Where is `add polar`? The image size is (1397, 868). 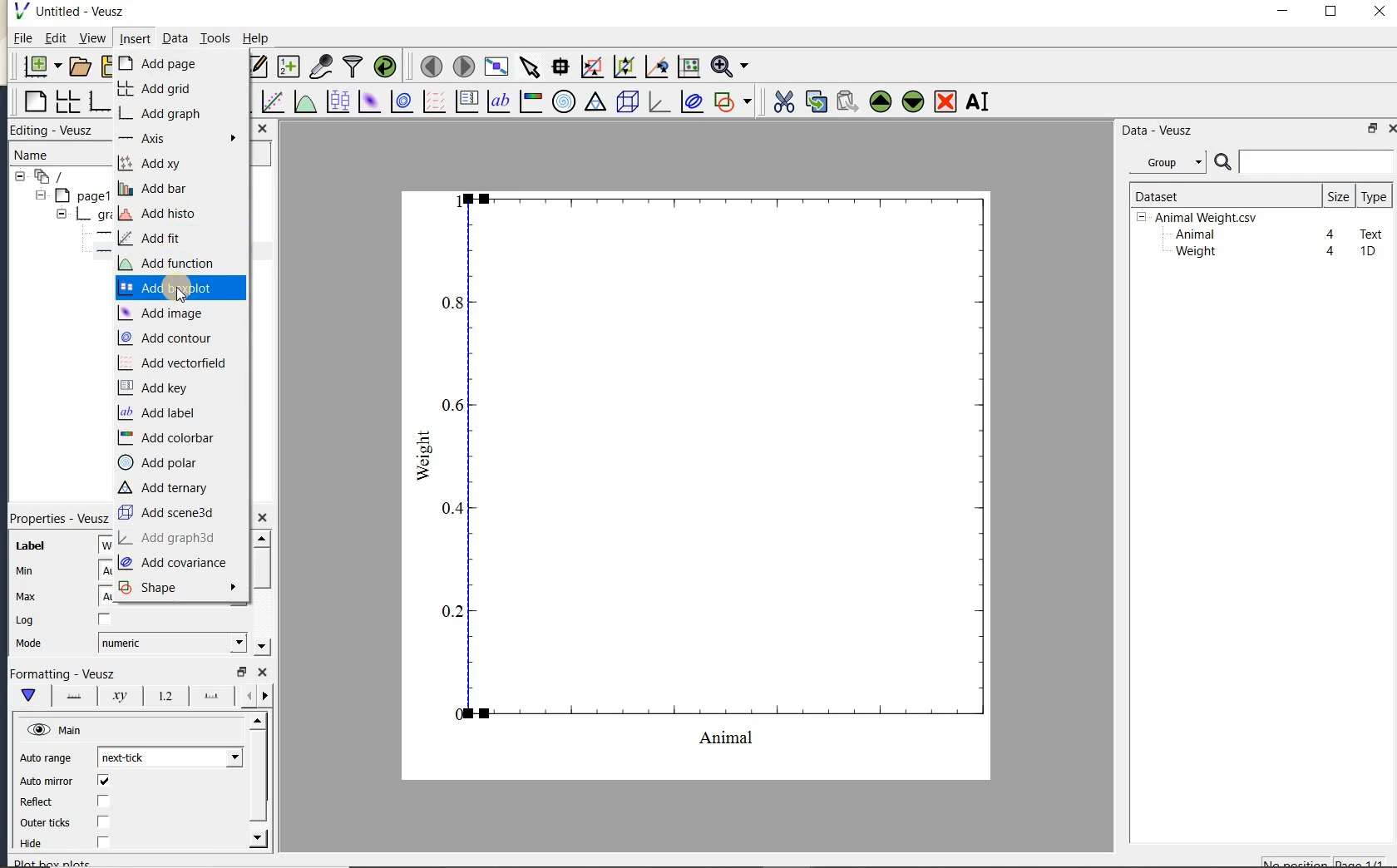
add polar is located at coordinates (161, 463).